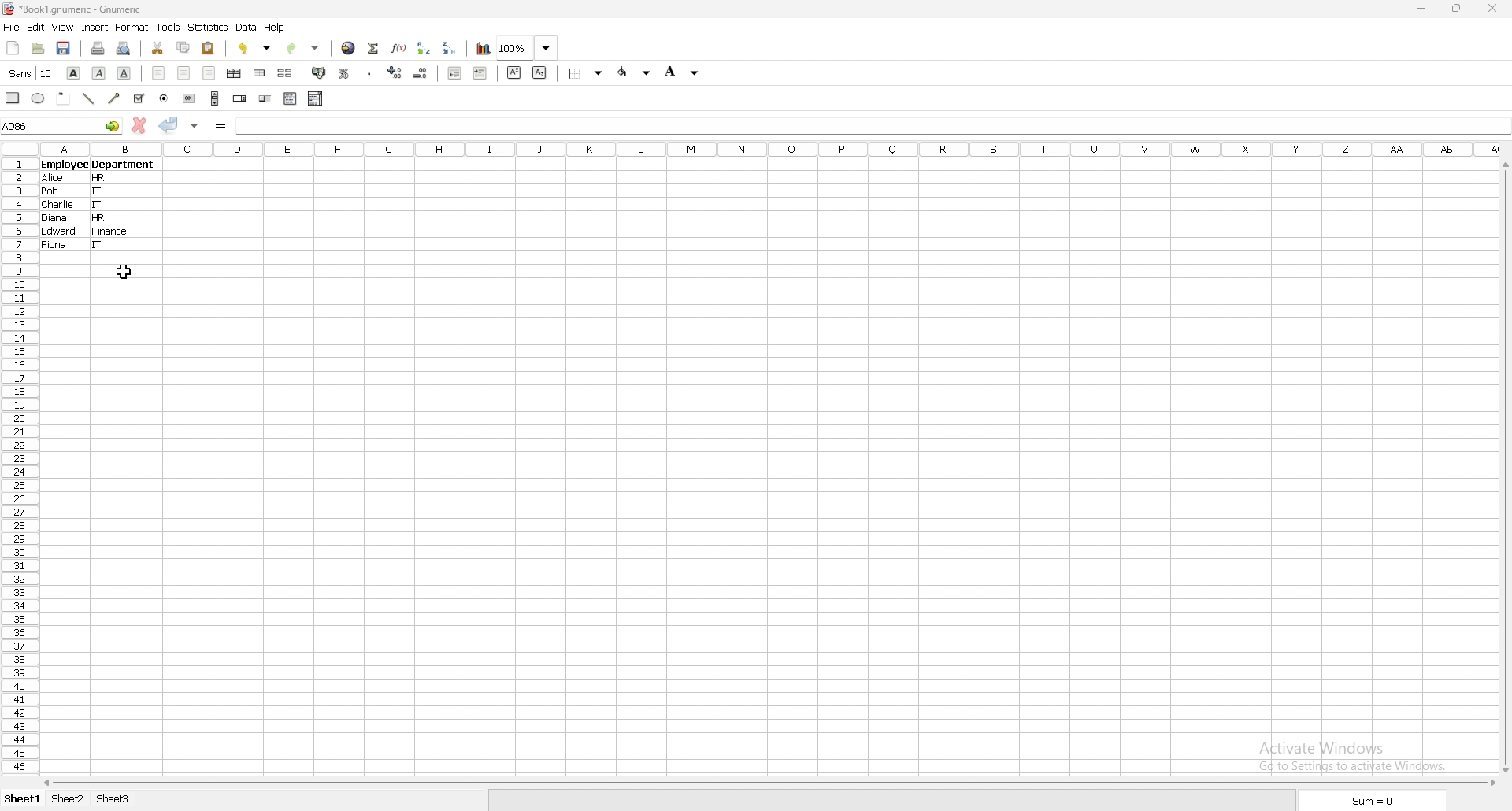 The image size is (1512, 811). What do you see at coordinates (1374, 802) in the screenshot?
I see `sum` at bounding box center [1374, 802].